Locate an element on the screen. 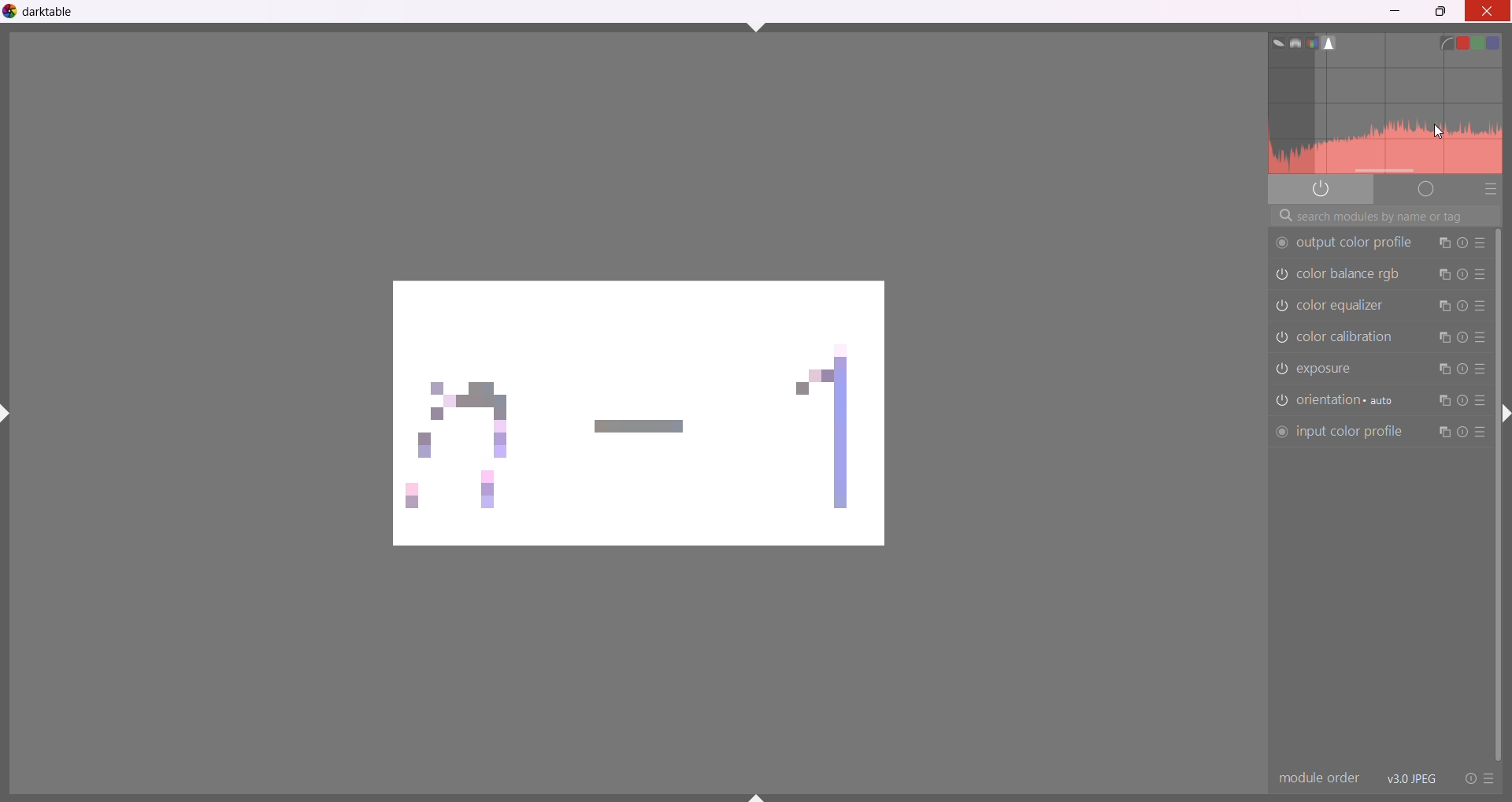 This screenshot has width=1512, height=802. presets is located at coordinates (1480, 306).